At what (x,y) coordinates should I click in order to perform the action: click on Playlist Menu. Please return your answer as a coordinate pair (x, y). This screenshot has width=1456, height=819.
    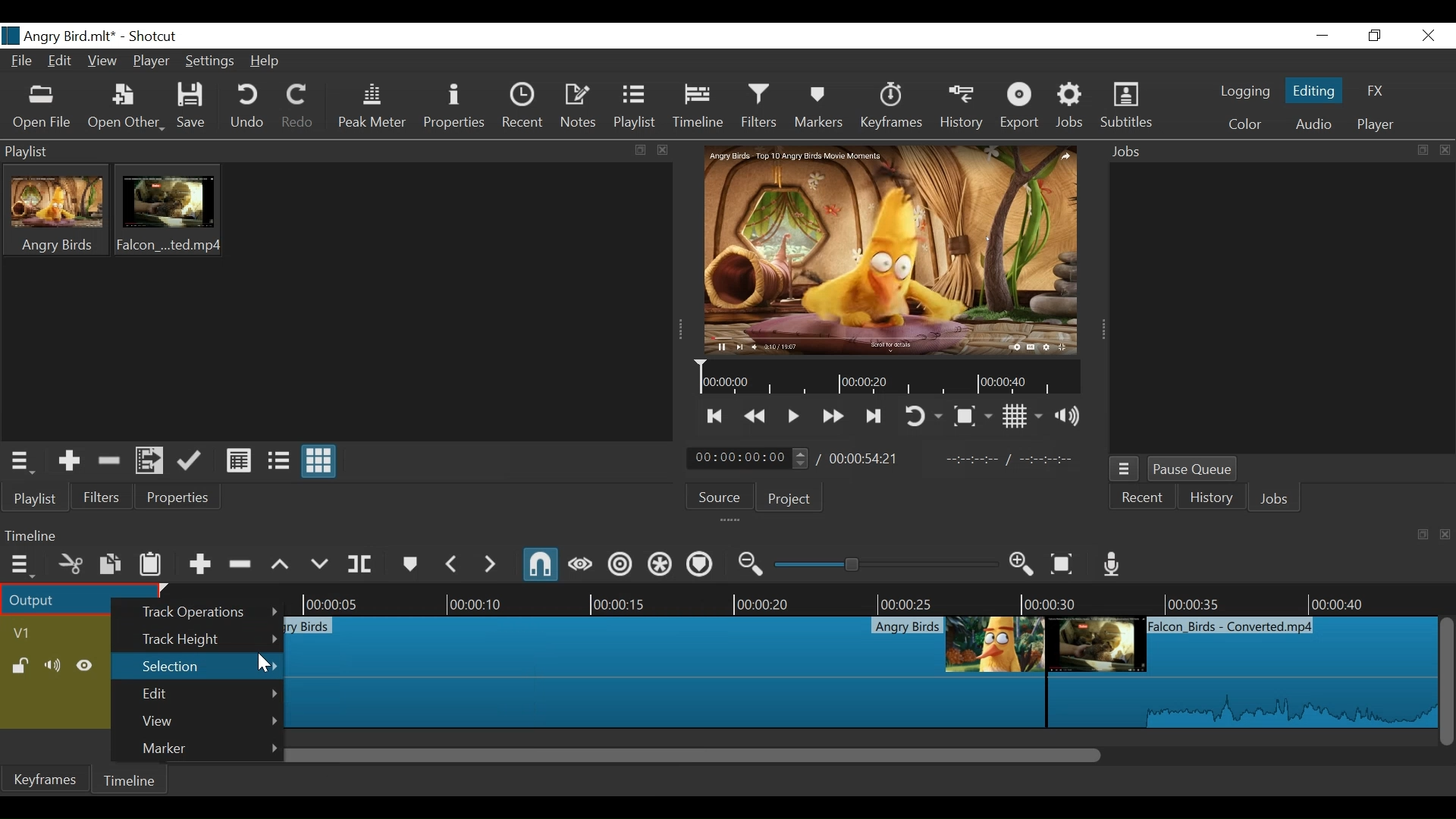
    Looking at the image, I should click on (21, 463).